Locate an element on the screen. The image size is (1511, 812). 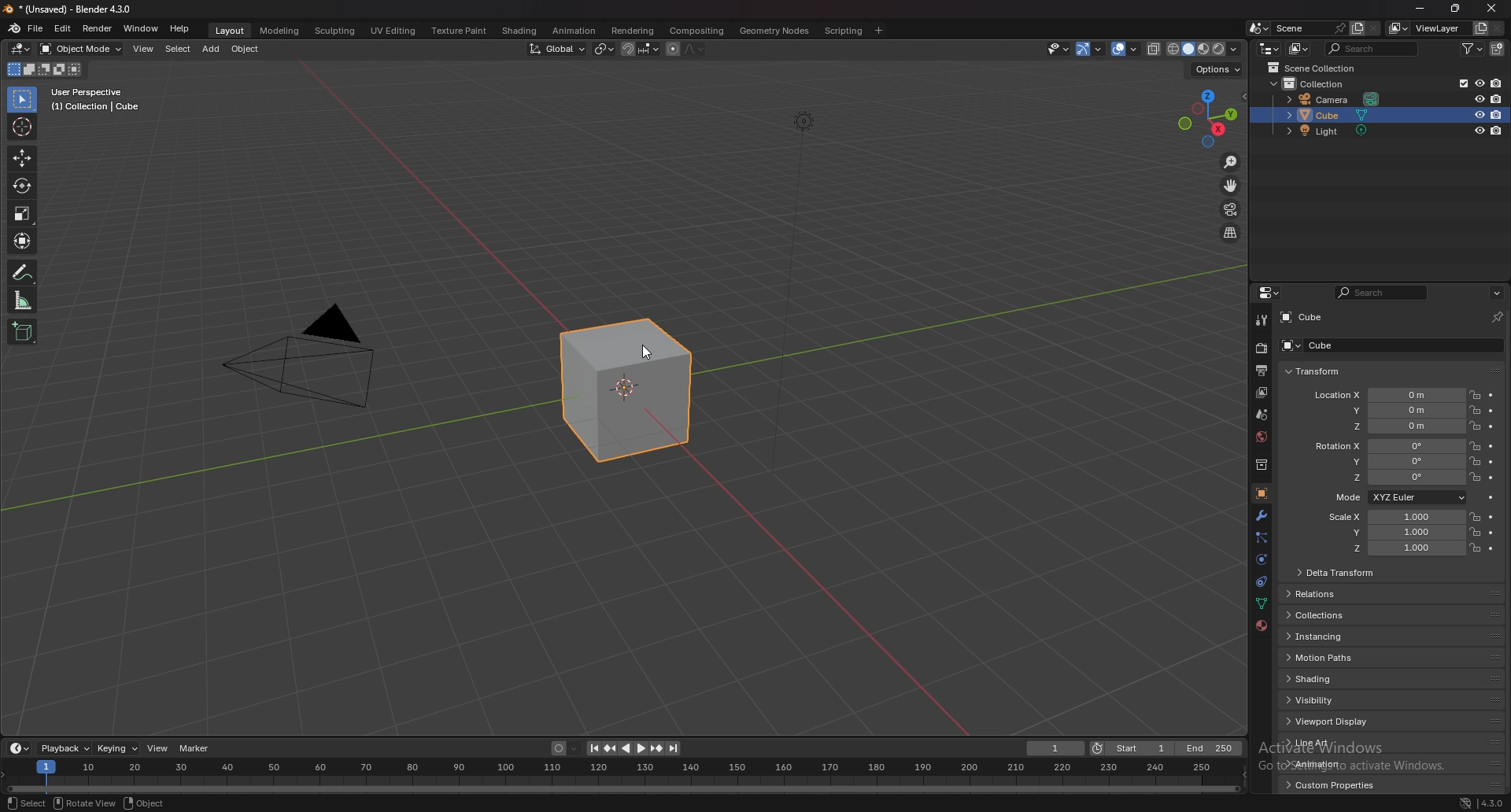
view is located at coordinates (143, 49).